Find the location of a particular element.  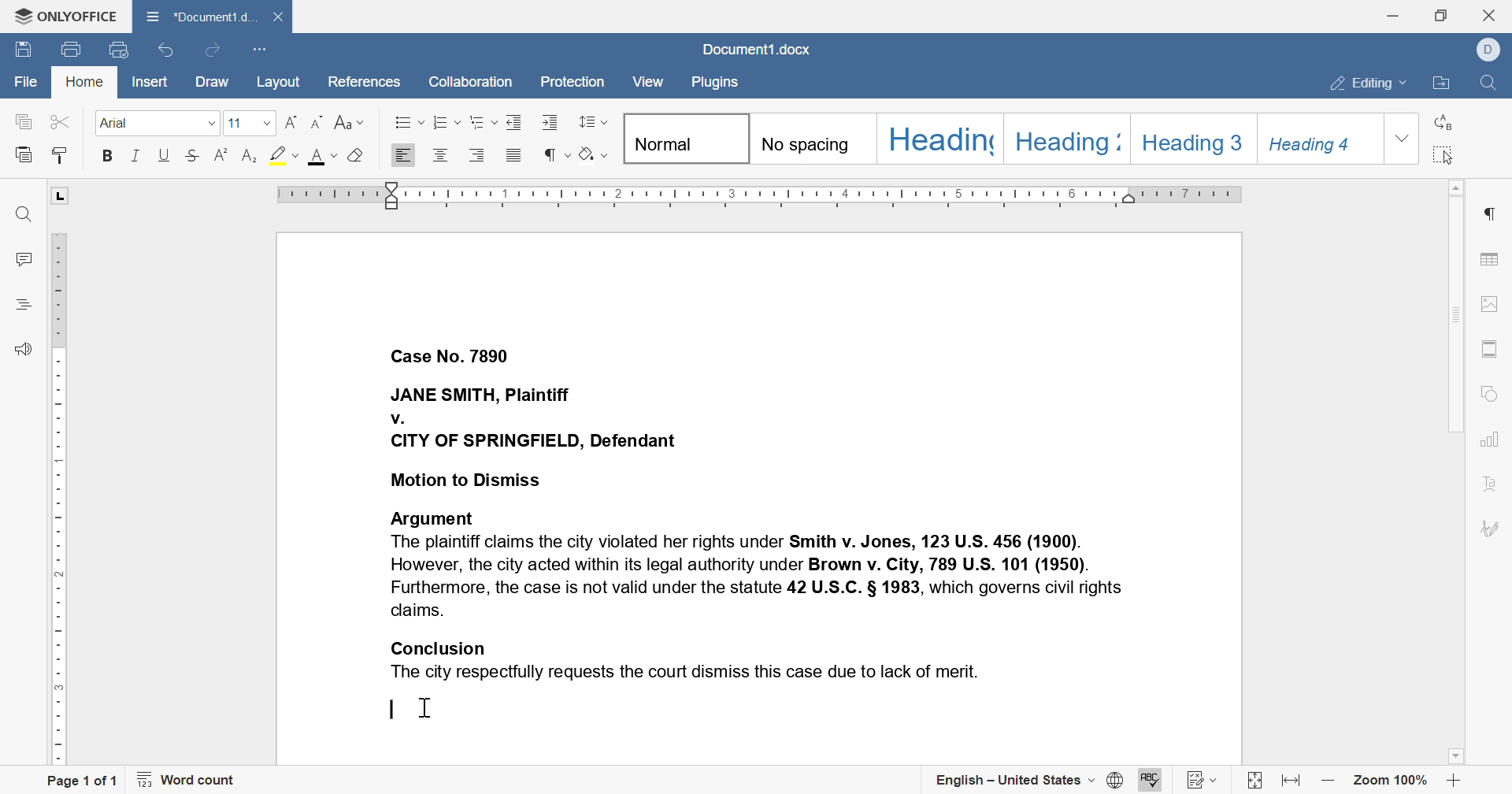

spell checking is located at coordinates (1151, 781).